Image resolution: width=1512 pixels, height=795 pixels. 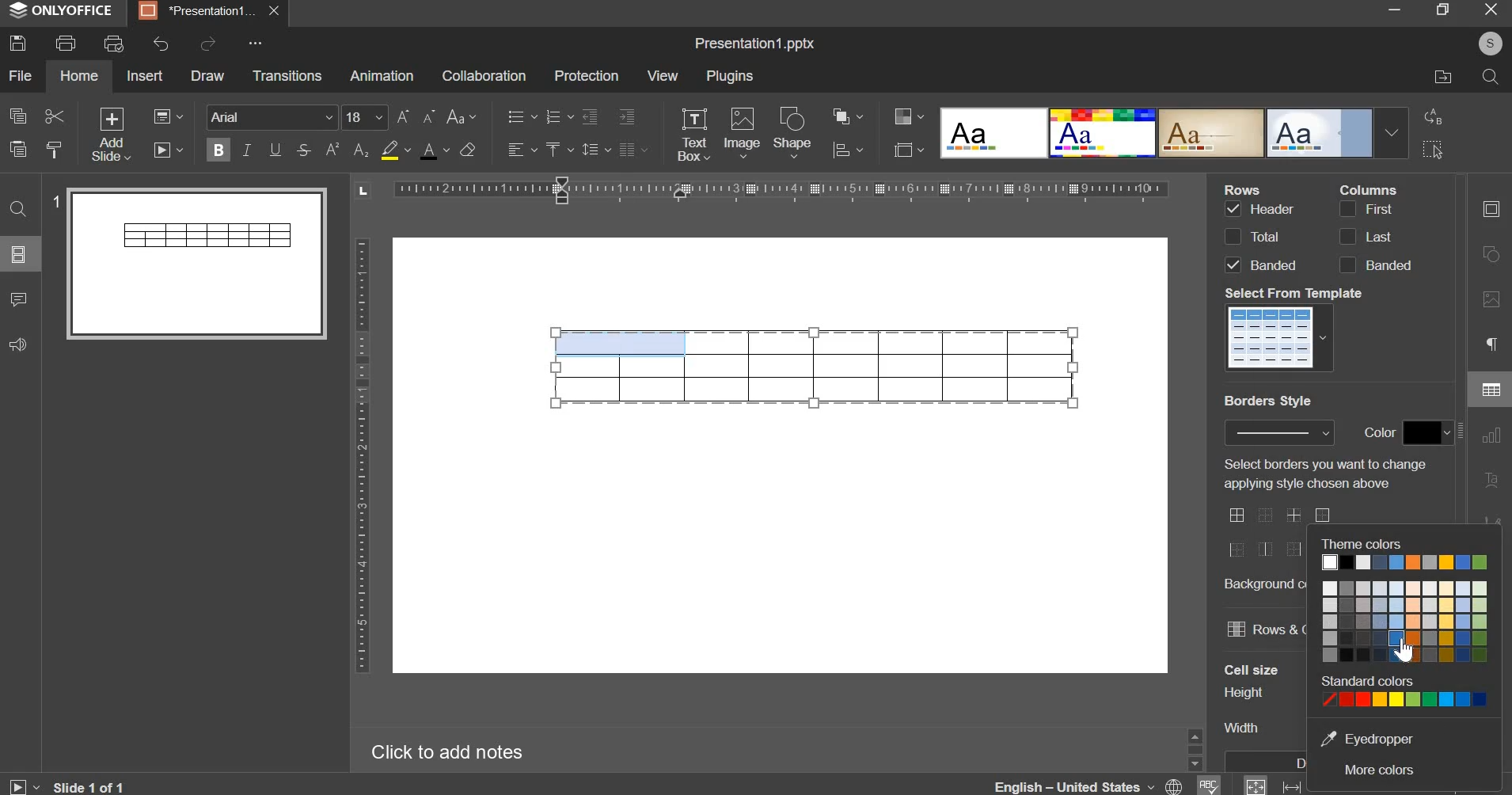 I want to click on cut, so click(x=53, y=117).